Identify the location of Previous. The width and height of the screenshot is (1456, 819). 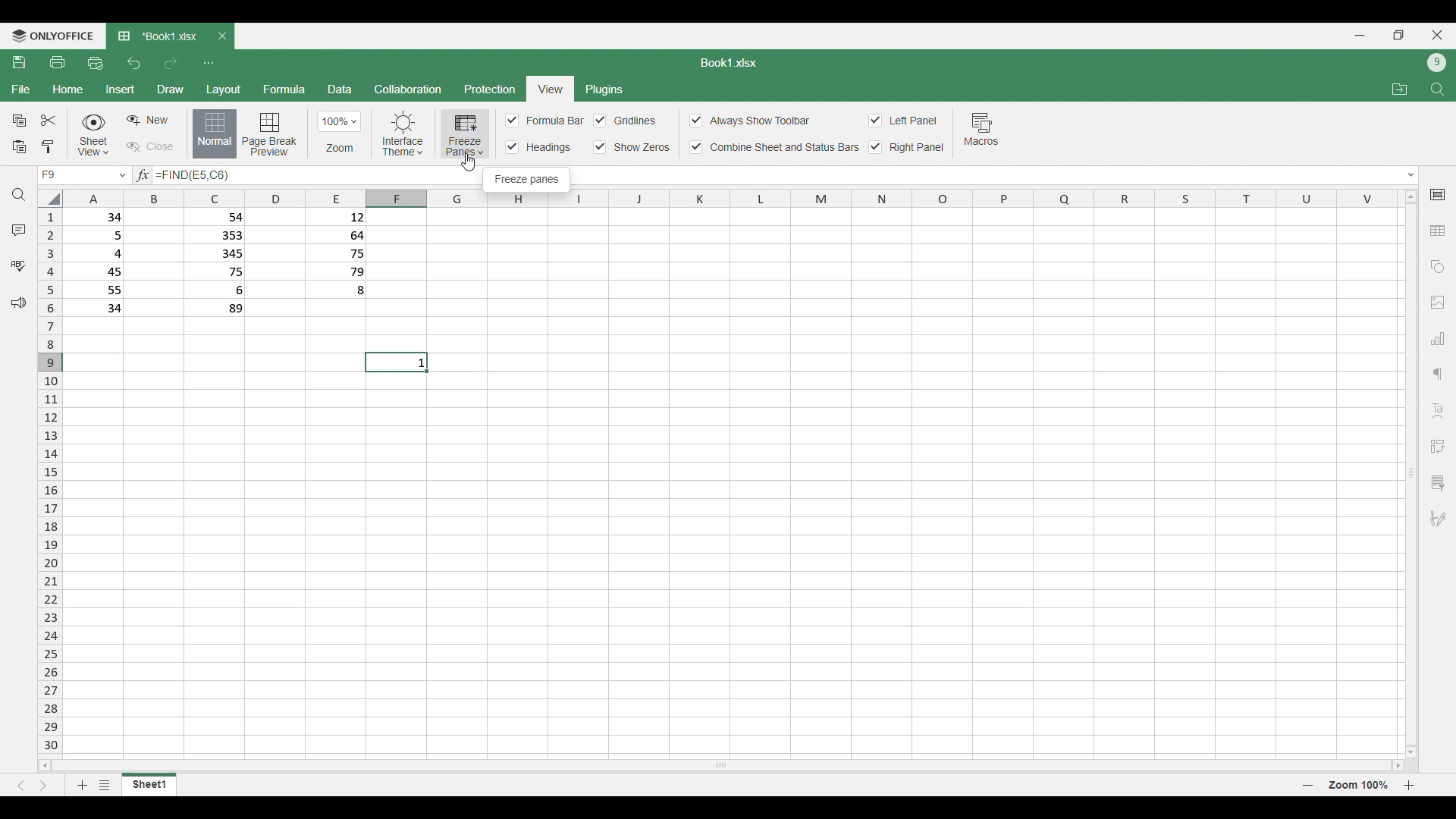
(21, 786).